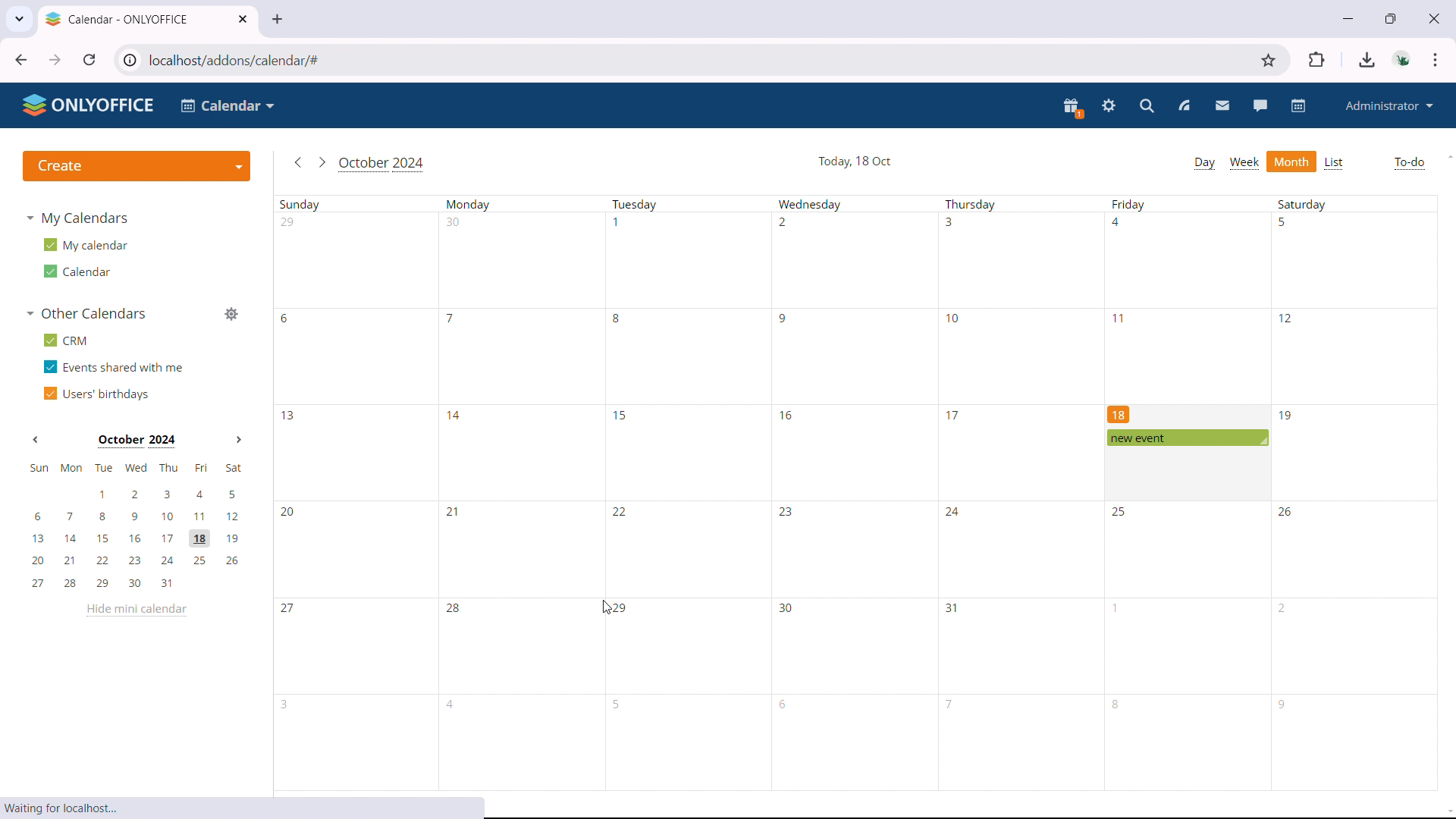 Image resolution: width=1456 pixels, height=819 pixels. Describe the element at coordinates (1117, 704) in the screenshot. I see `8` at that location.